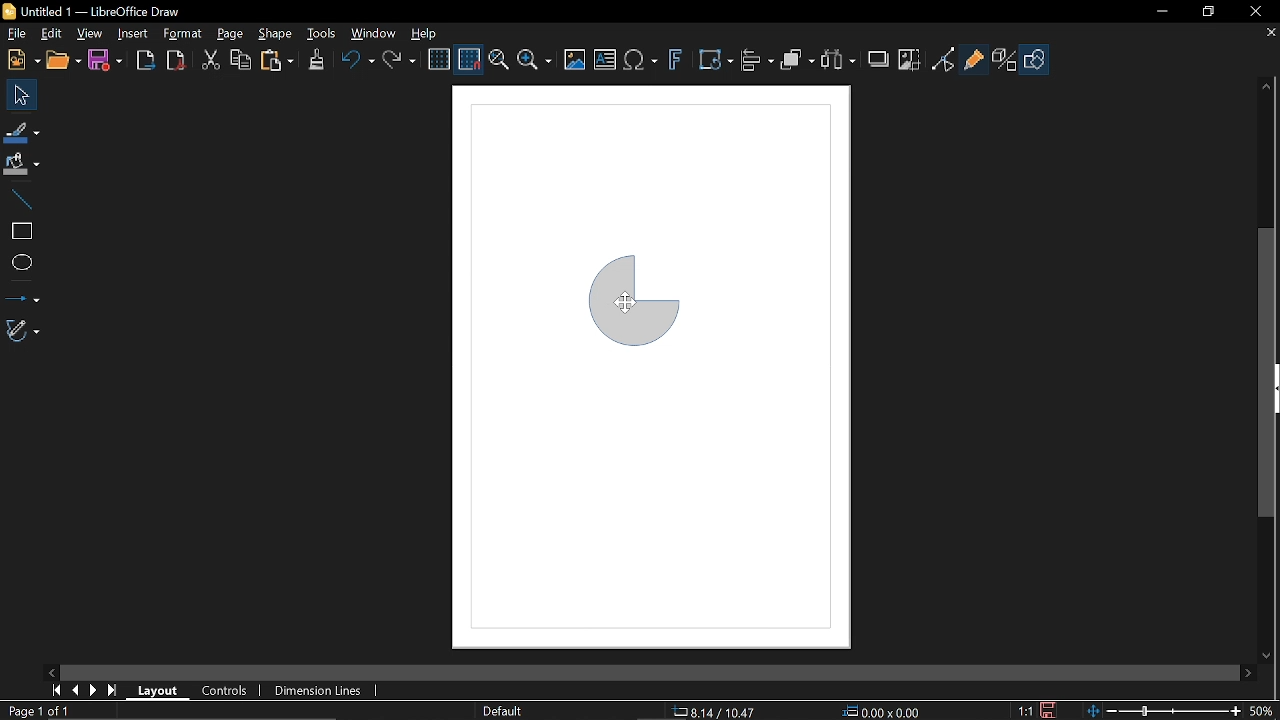  What do you see at coordinates (1006, 60) in the screenshot?
I see `Toggle extrusion` at bounding box center [1006, 60].